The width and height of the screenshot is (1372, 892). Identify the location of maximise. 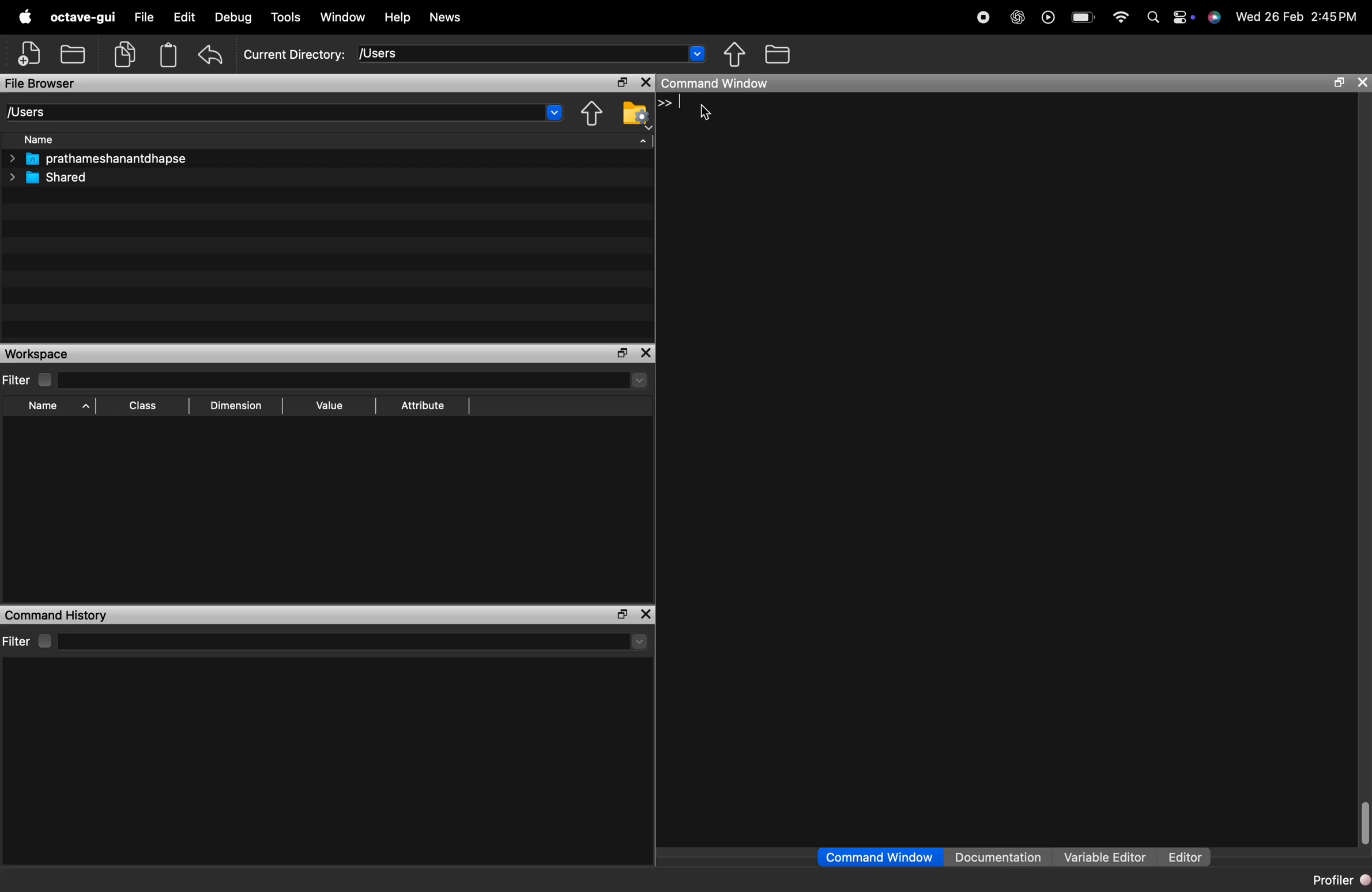
(618, 353).